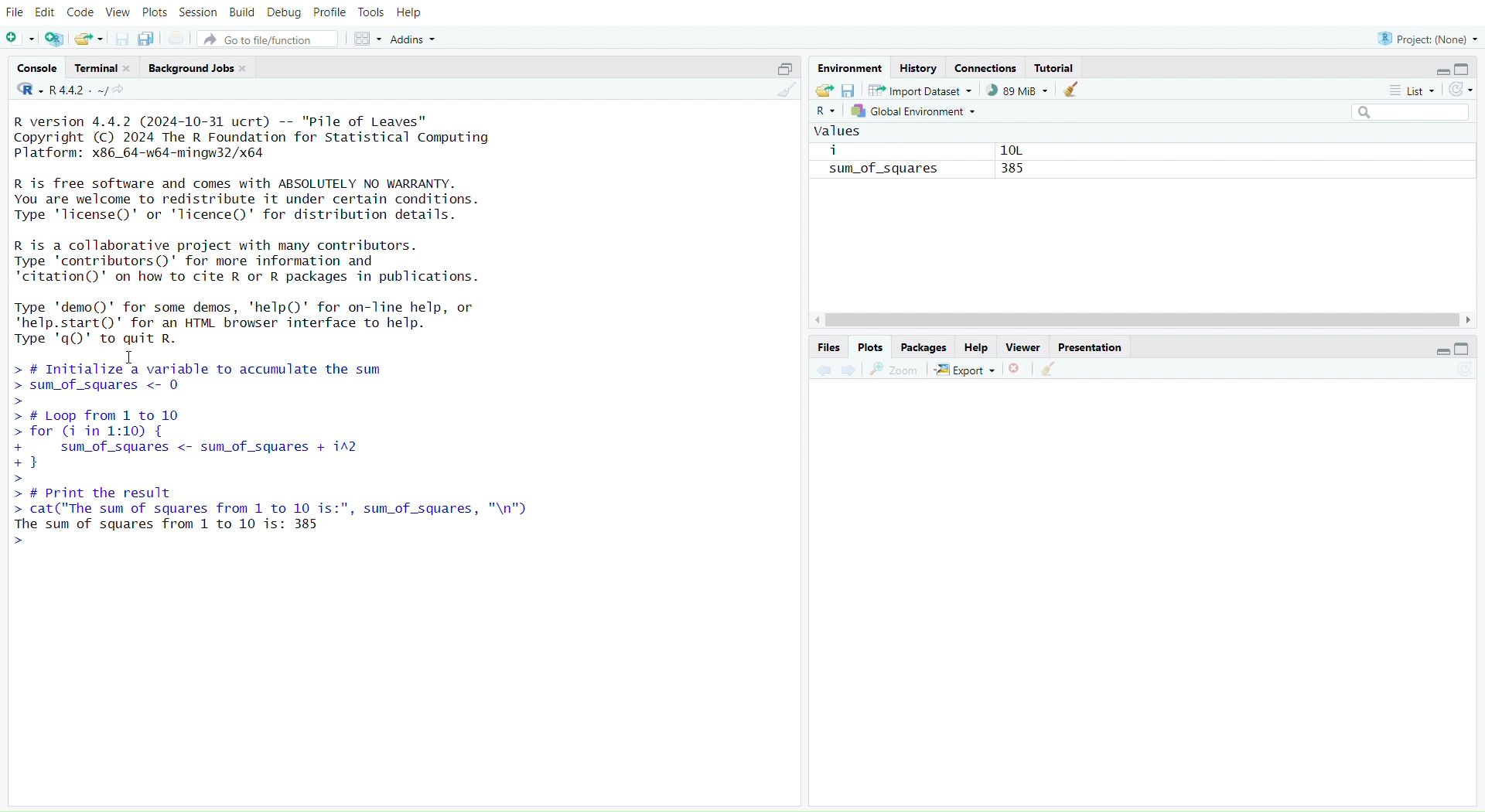  I want to click on create a project, so click(54, 39).